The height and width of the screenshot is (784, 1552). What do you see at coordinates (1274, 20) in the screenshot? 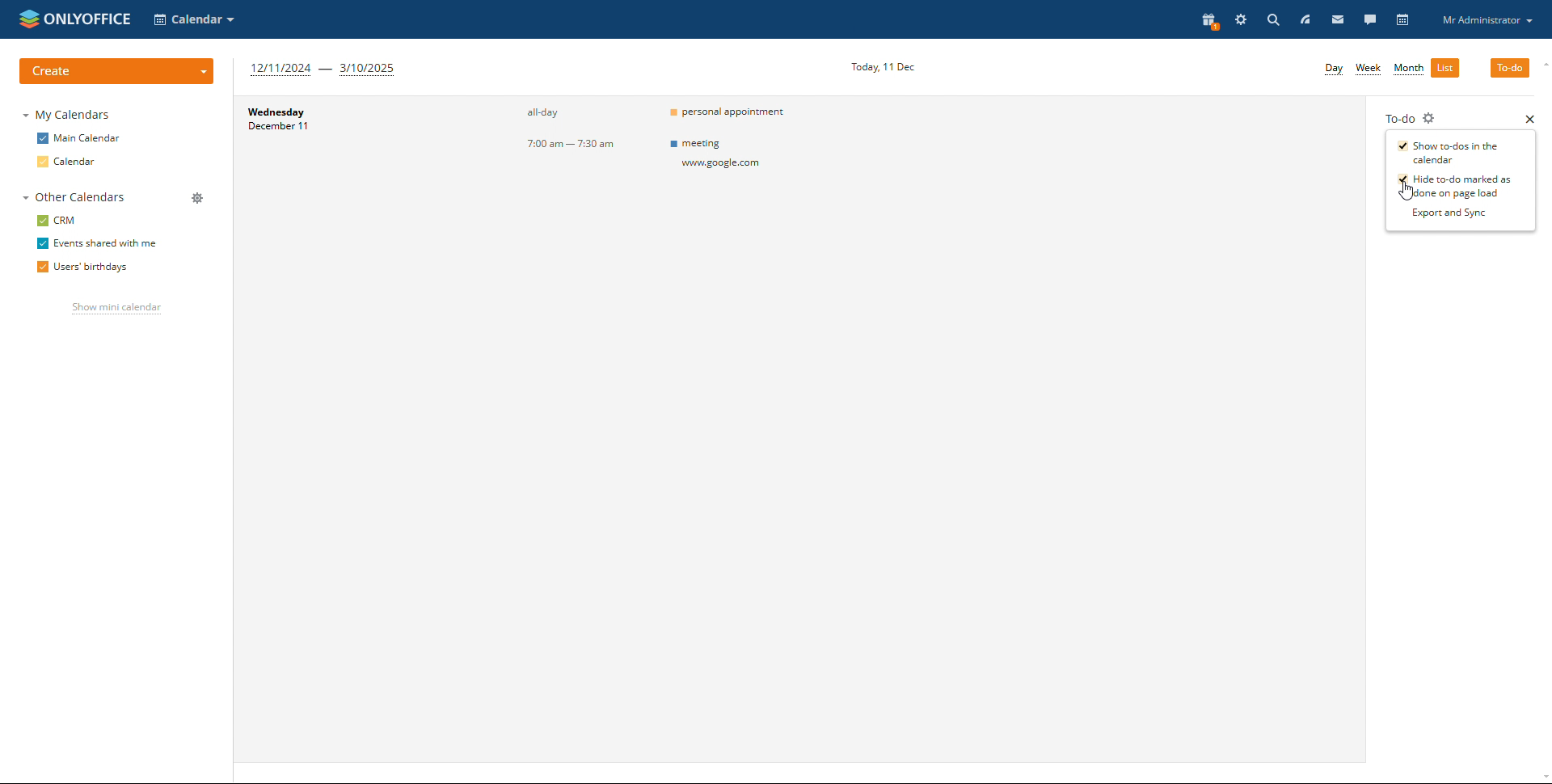
I see `search` at bounding box center [1274, 20].